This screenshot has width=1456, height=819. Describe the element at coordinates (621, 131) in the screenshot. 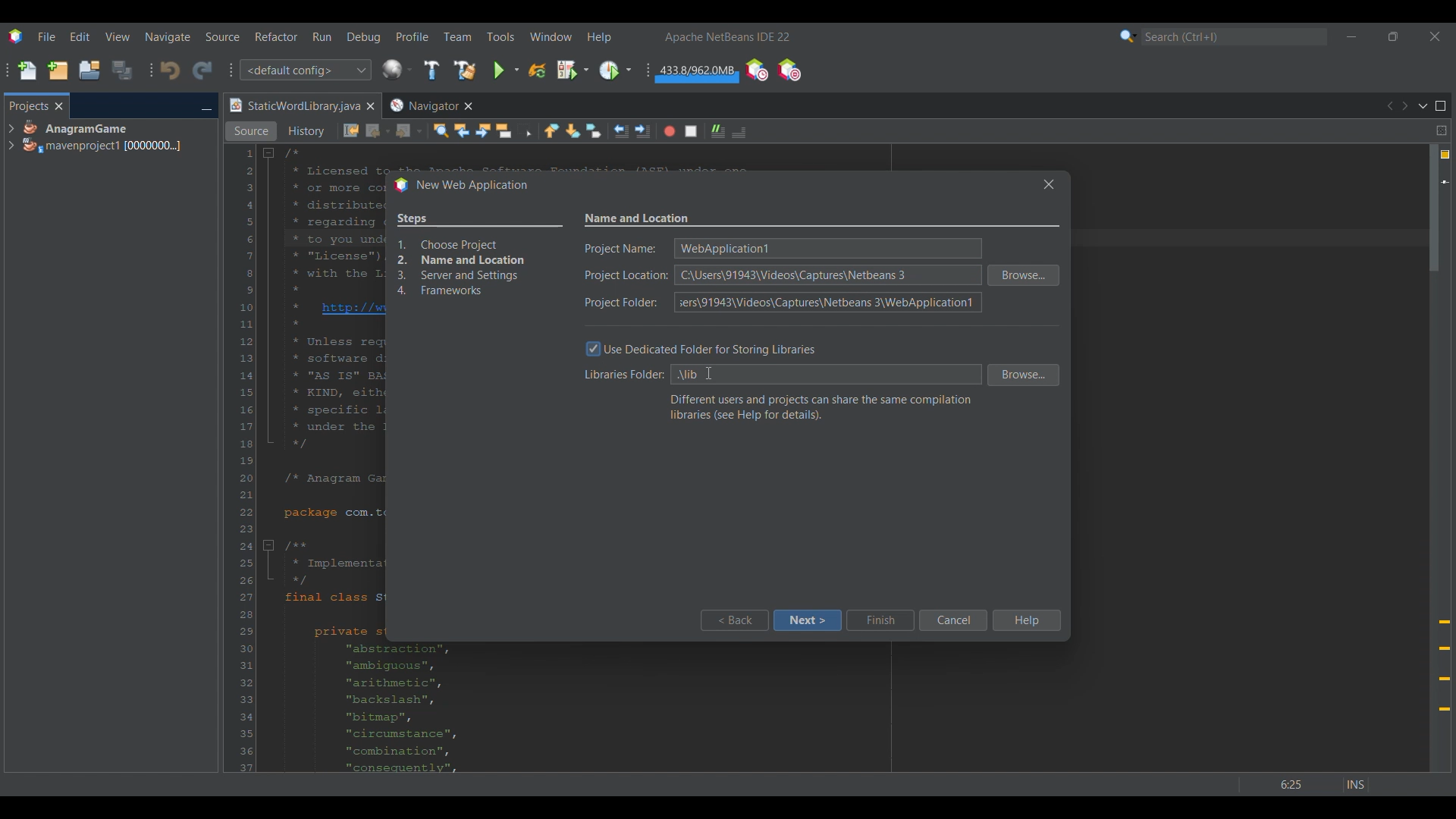

I see `Shift line left` at that location.